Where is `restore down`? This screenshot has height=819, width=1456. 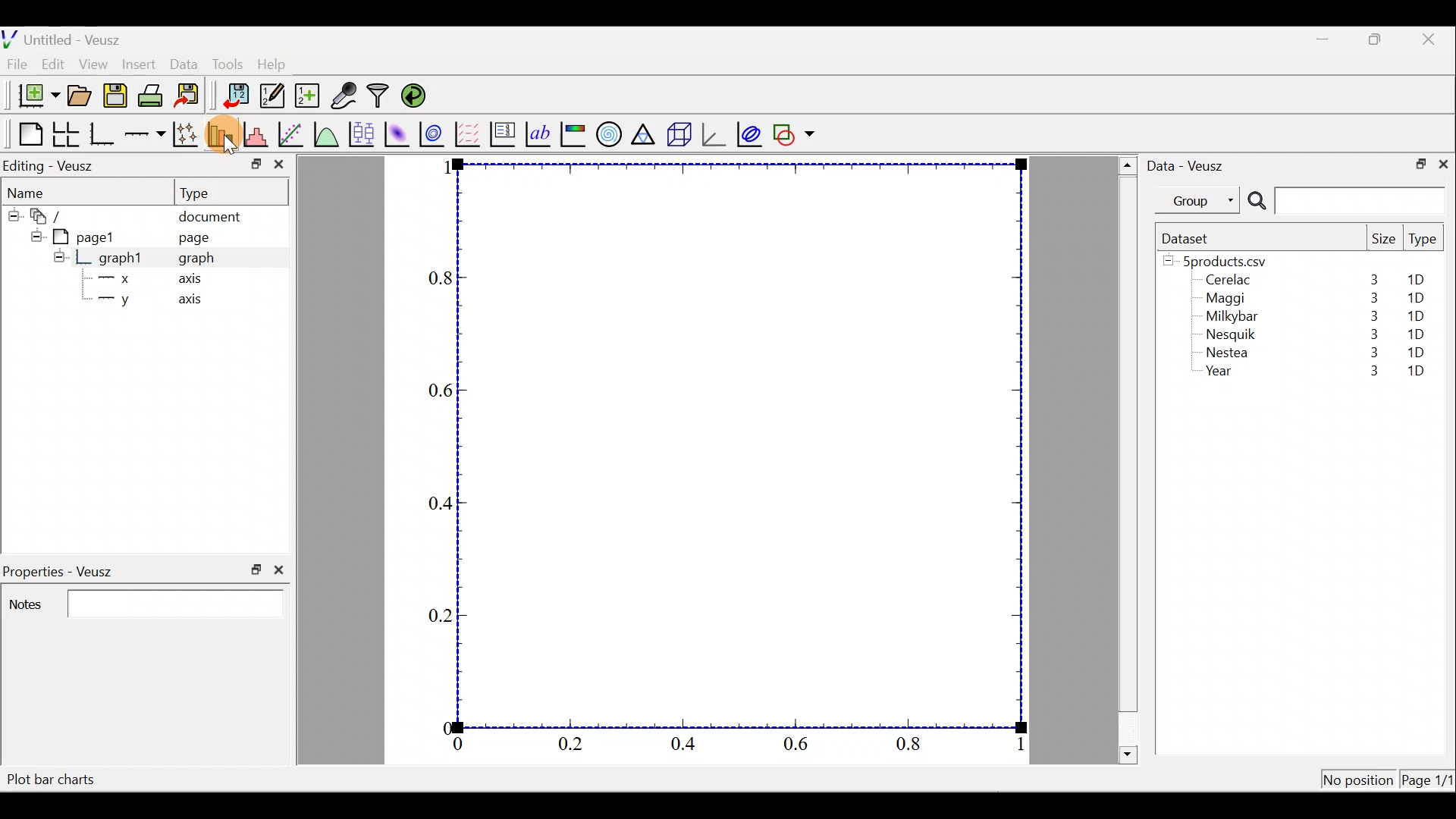 restore down is located at coordinates (1416, 162).